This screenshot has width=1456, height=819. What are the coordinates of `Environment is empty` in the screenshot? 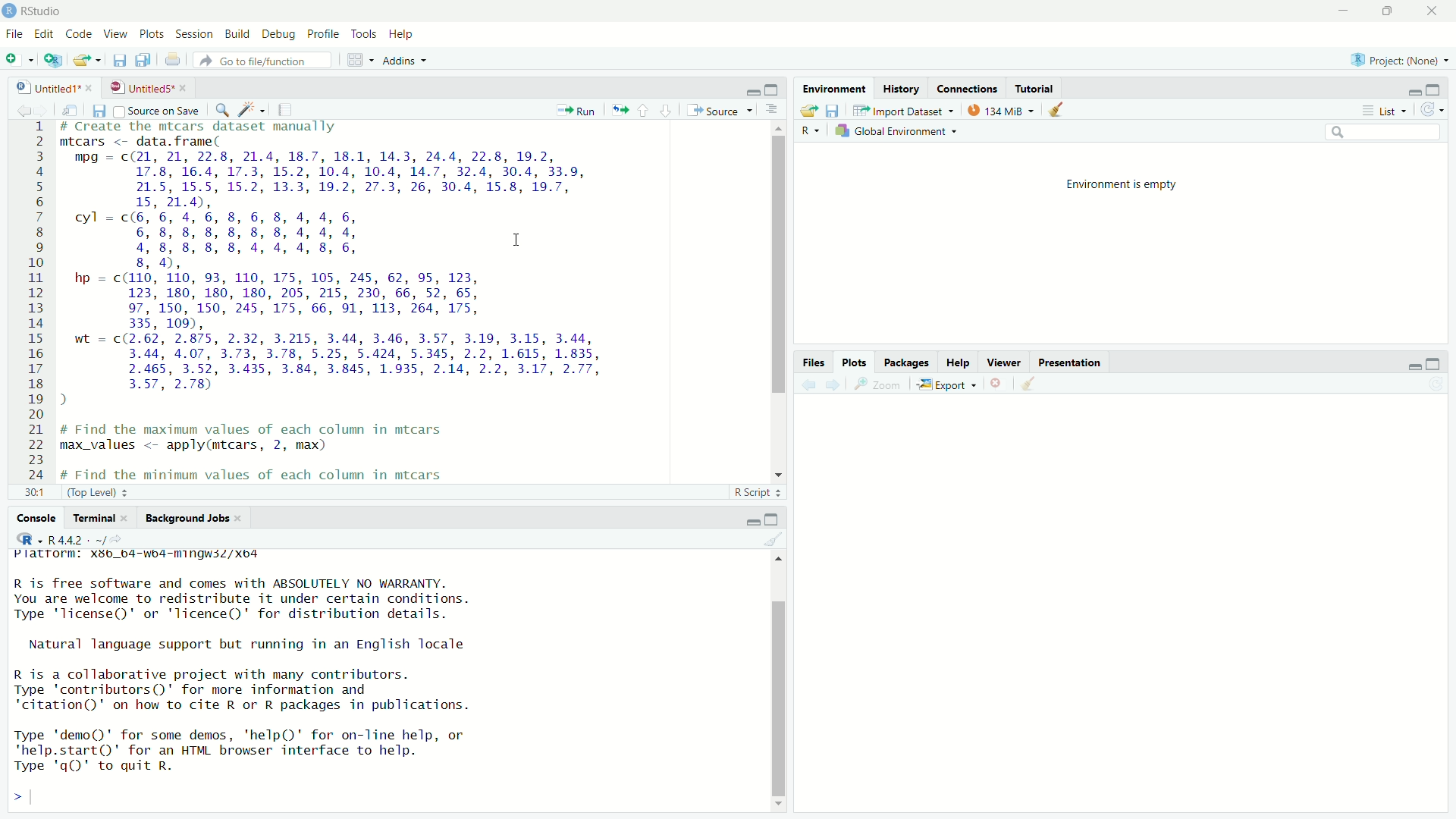 It's located at (1123, 183).